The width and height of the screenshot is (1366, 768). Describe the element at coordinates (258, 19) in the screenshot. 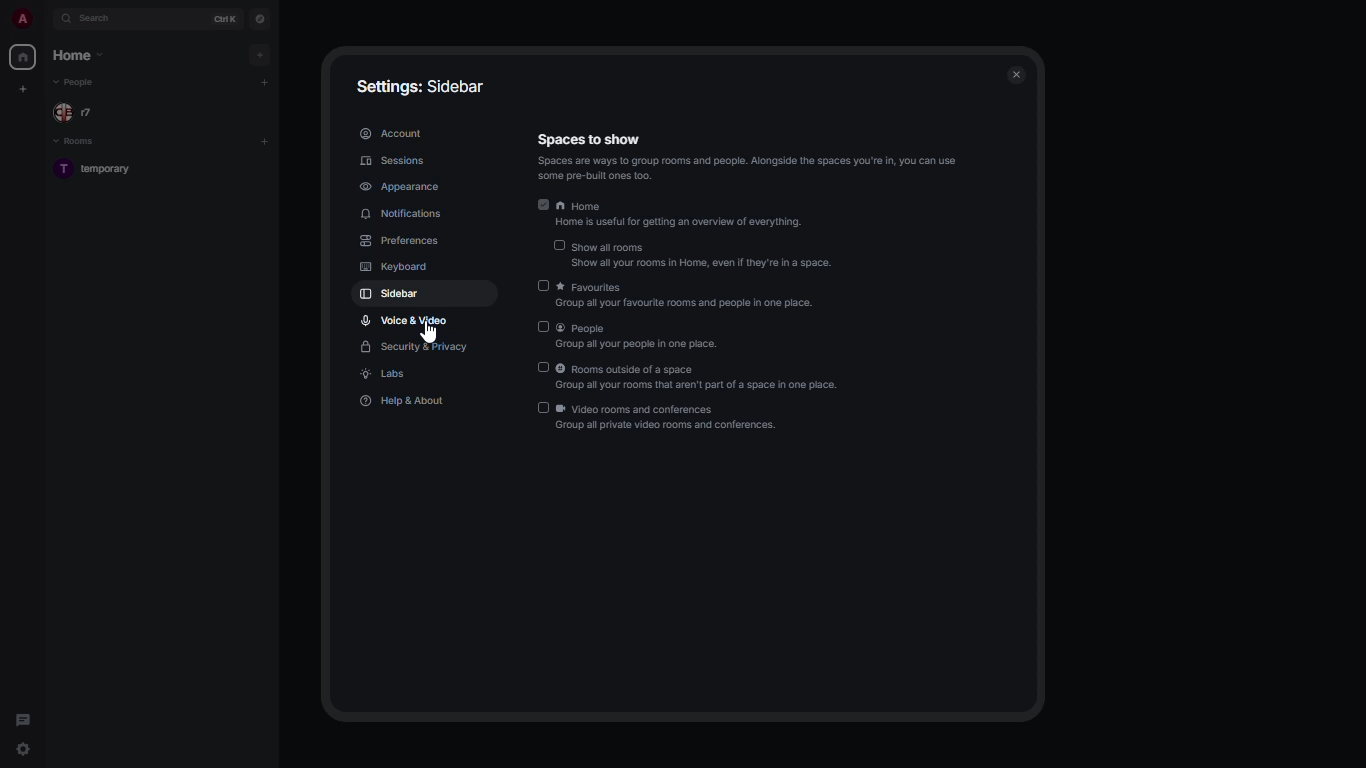

I see `navigator` at that location.